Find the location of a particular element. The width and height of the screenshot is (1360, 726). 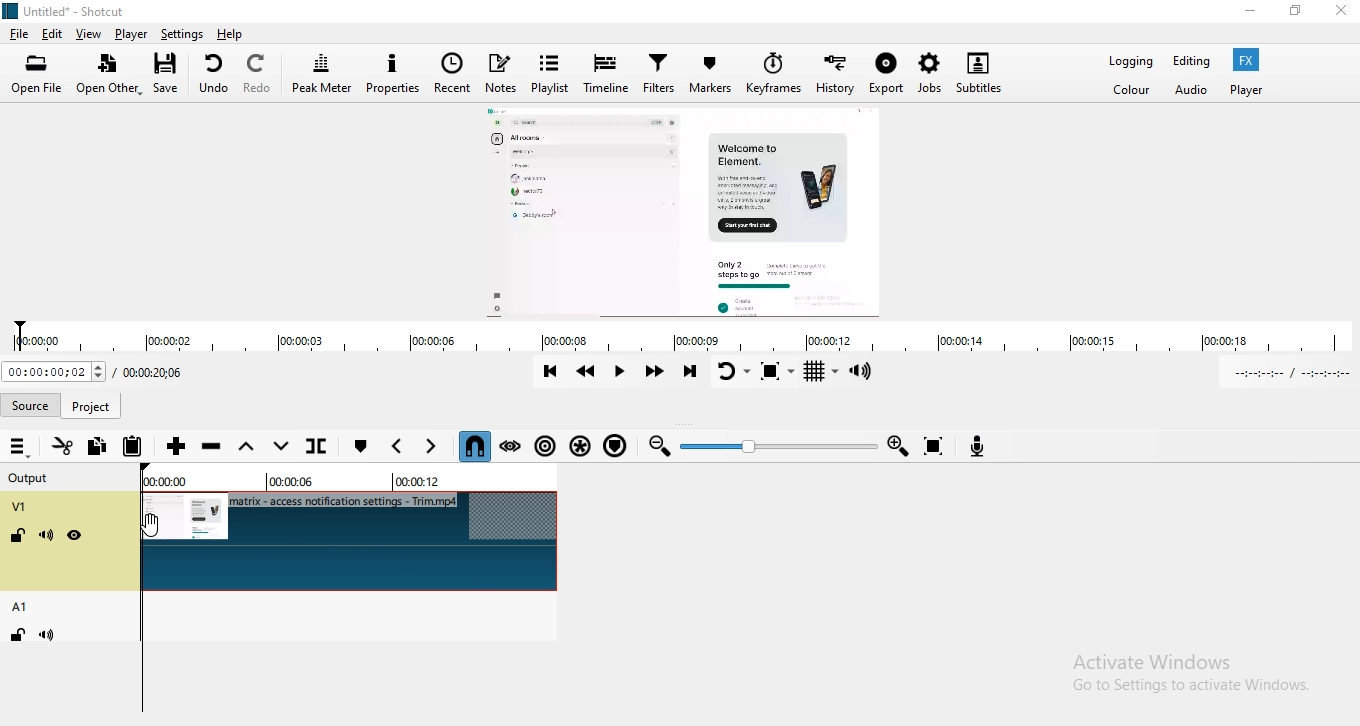

Color is located at coordinates (1135, 91).